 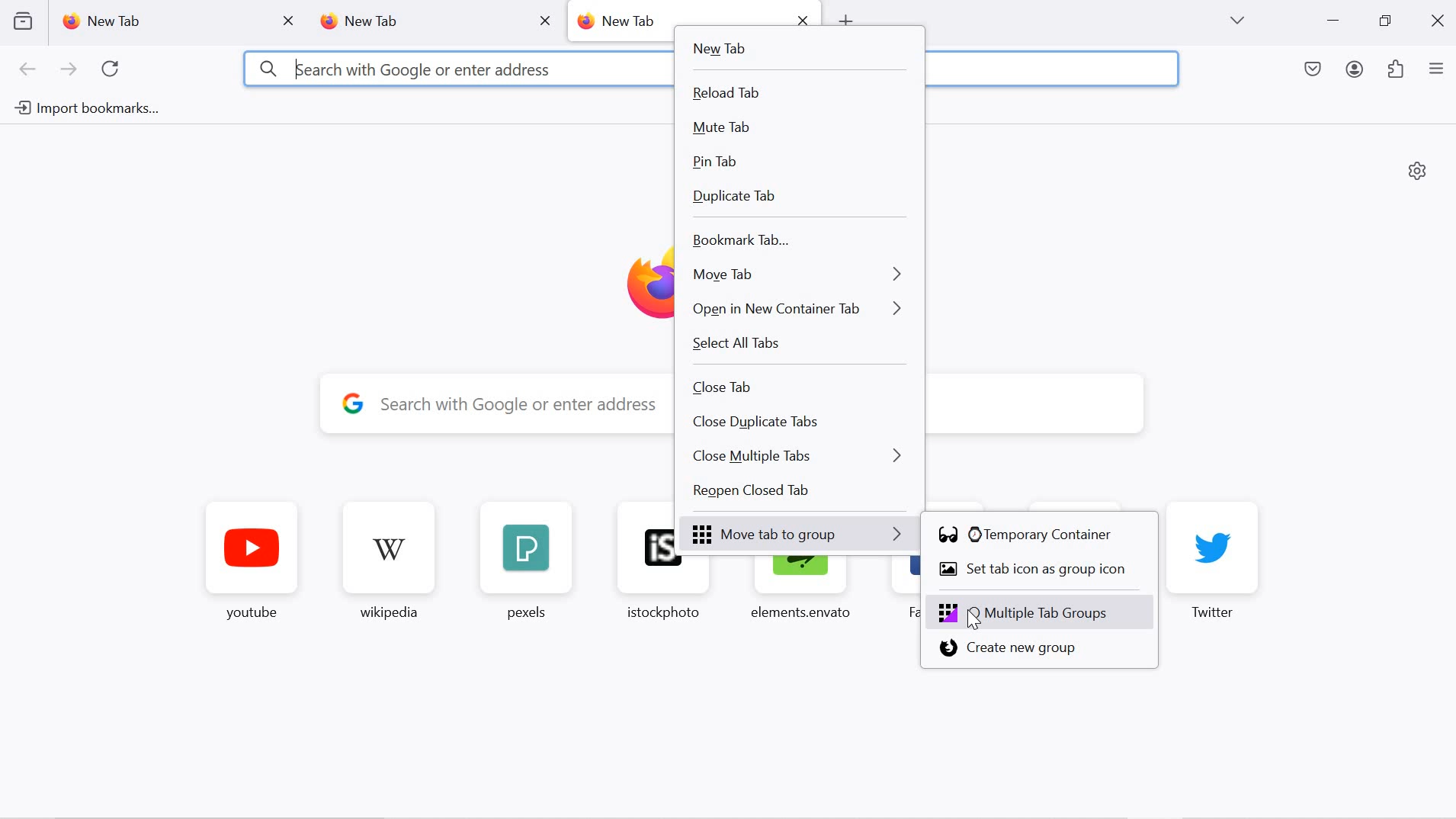 What do you see at coordinates (1418, 170) in the screenshot?
I see `personalize new tab` at bounding box center [1418, 170].